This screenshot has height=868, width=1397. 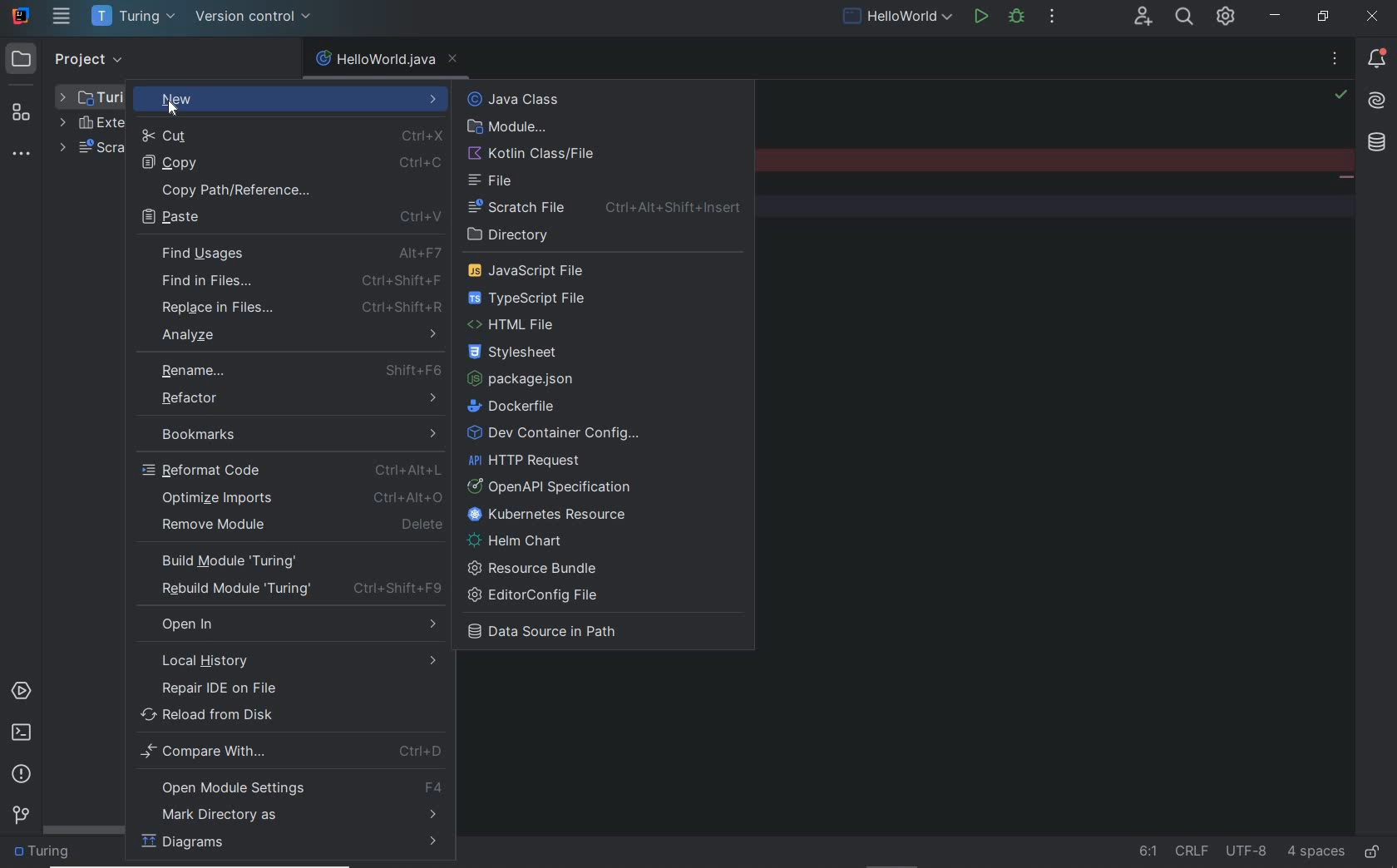 What do you see at coordinates (290, 753) in the screenshot?
I see `compare with` at bounding box center [290, 753].